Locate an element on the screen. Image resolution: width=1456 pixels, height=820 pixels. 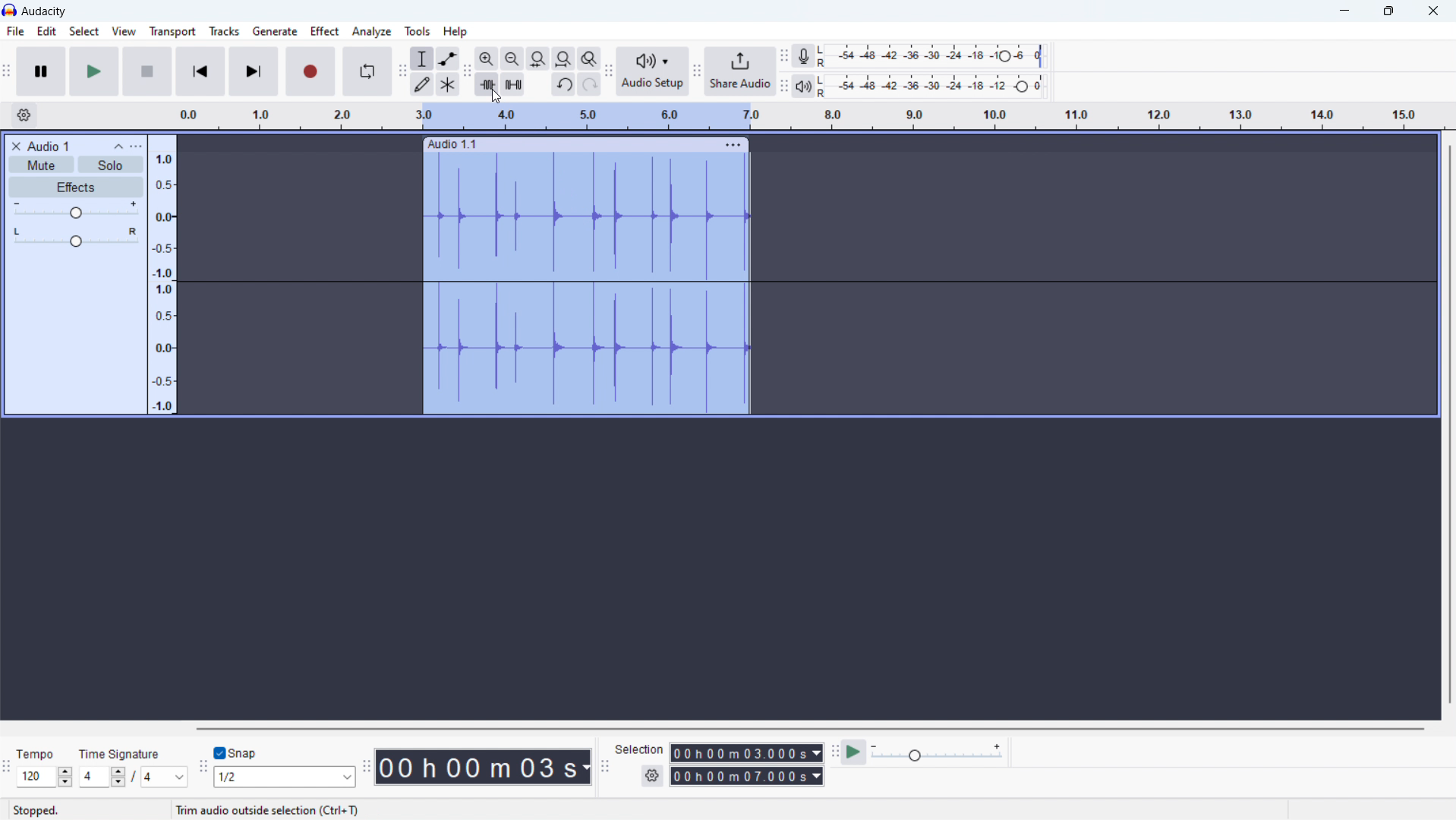
record is located at coordinates (310, 71).